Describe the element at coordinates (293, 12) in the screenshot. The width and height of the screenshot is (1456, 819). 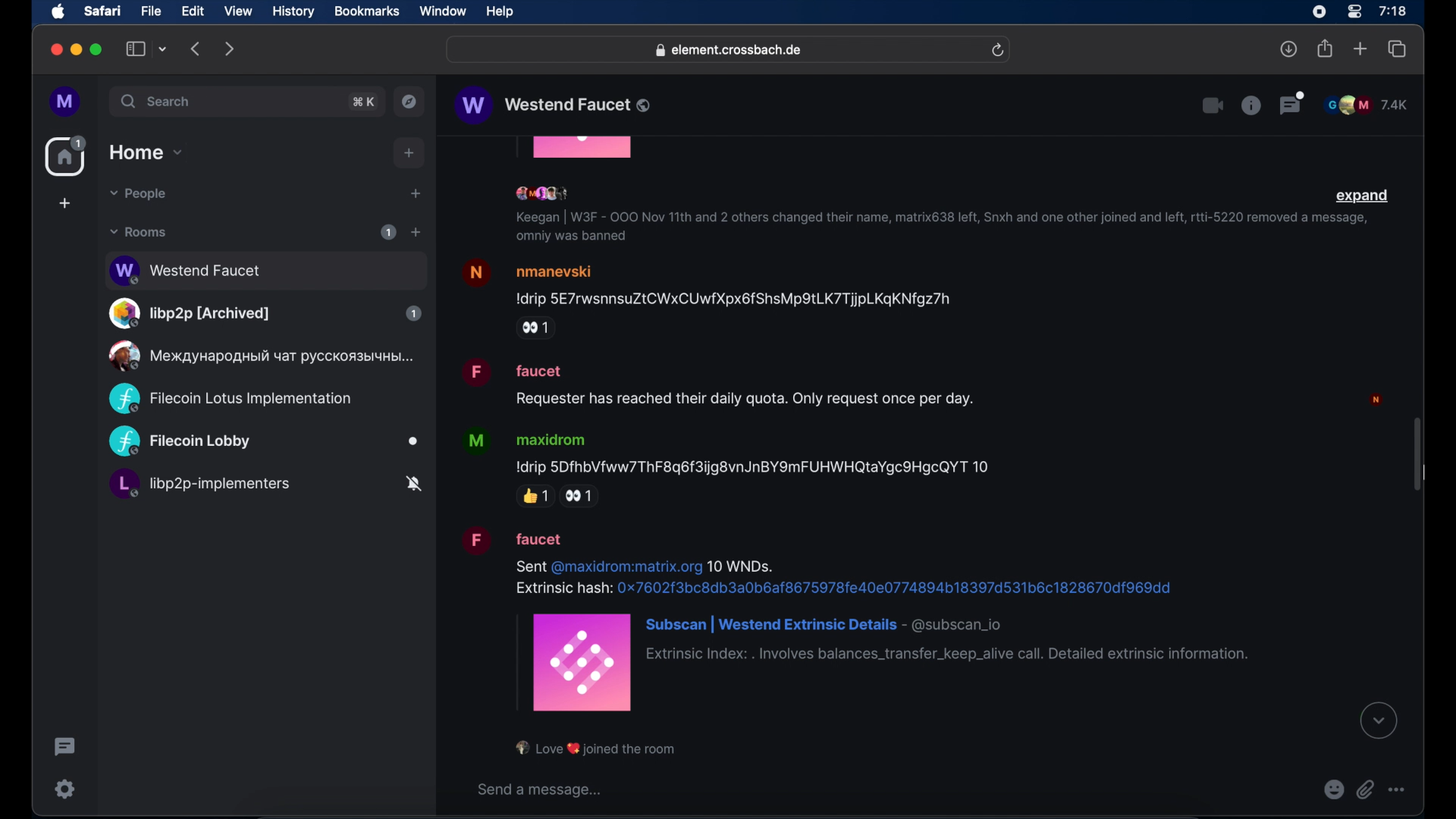
I see `history` at that location.